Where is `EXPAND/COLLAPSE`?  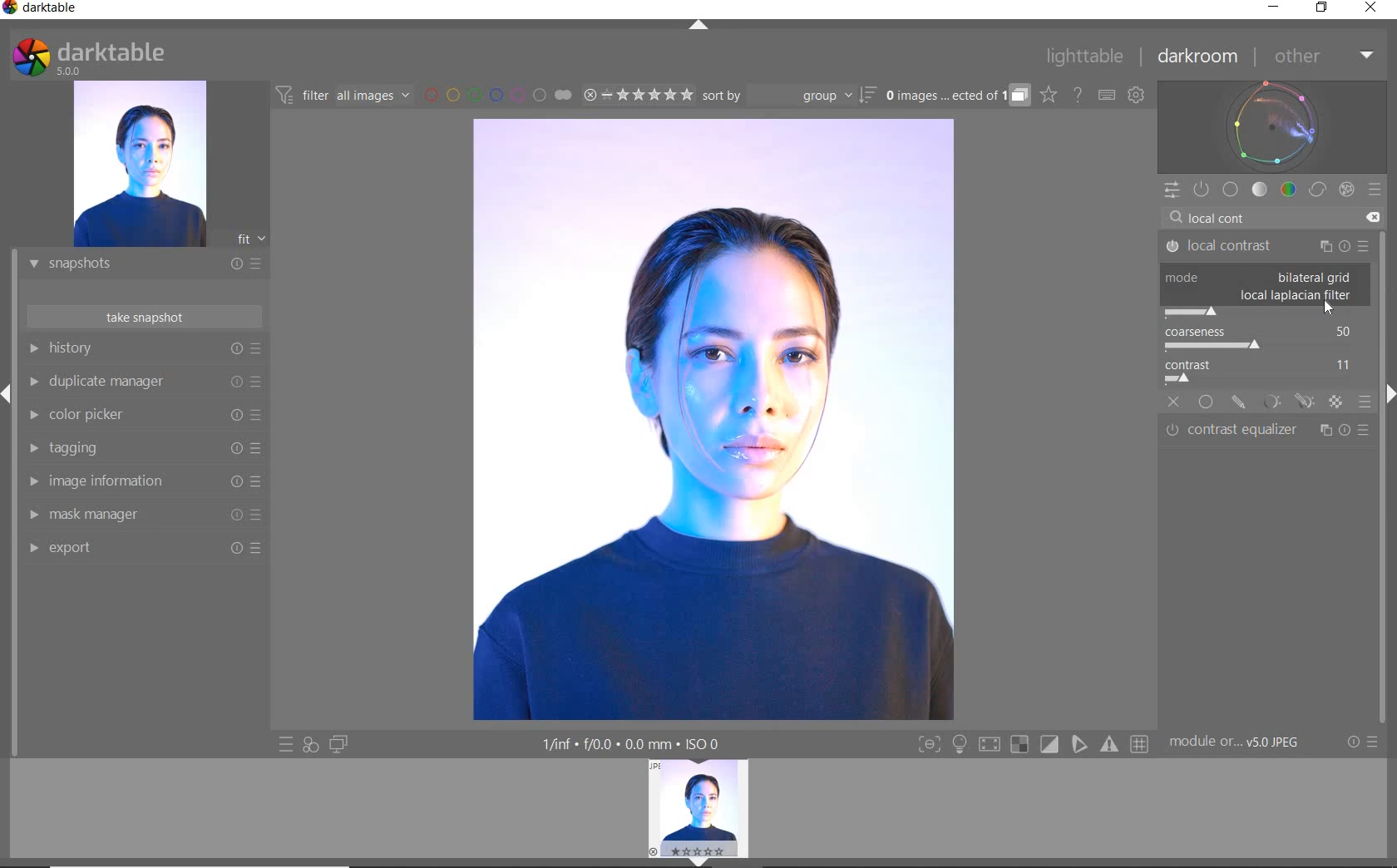
EXPAND/COLLAPSE is located at coordinates (701, 27).